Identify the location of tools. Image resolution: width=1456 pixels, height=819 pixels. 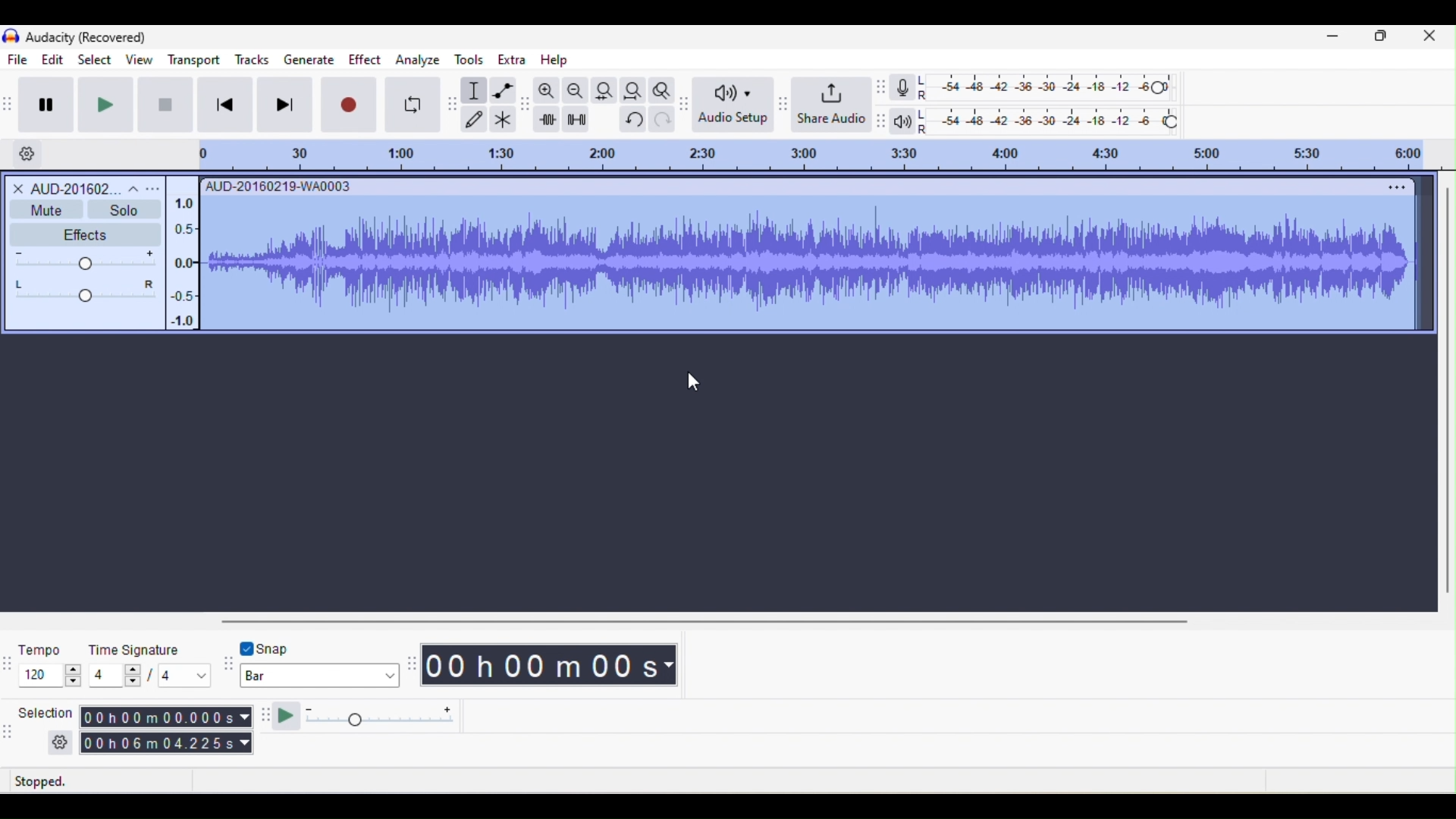
(474, 61).